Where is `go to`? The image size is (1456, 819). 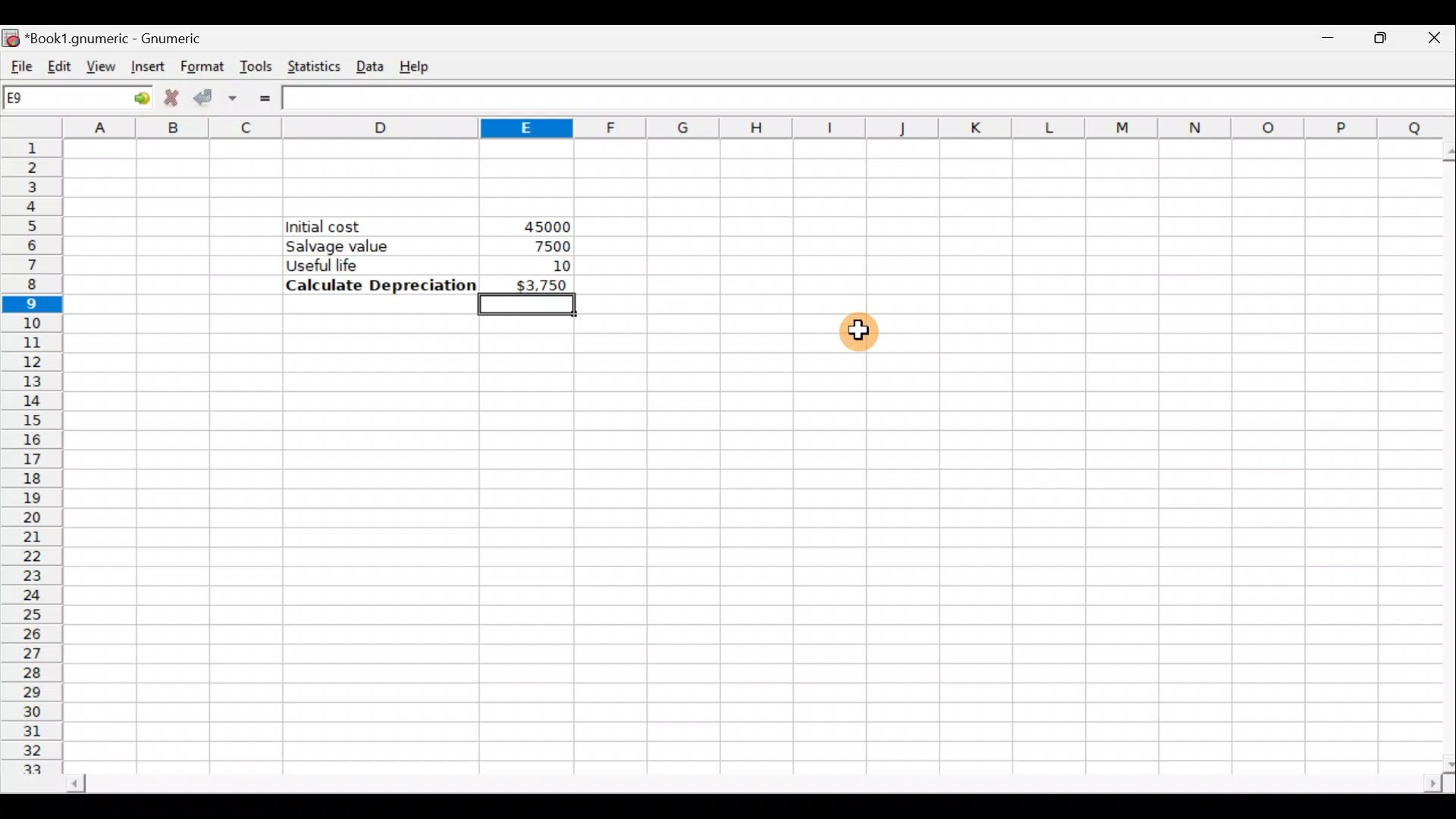 go to is located at coordinates (132, 98).